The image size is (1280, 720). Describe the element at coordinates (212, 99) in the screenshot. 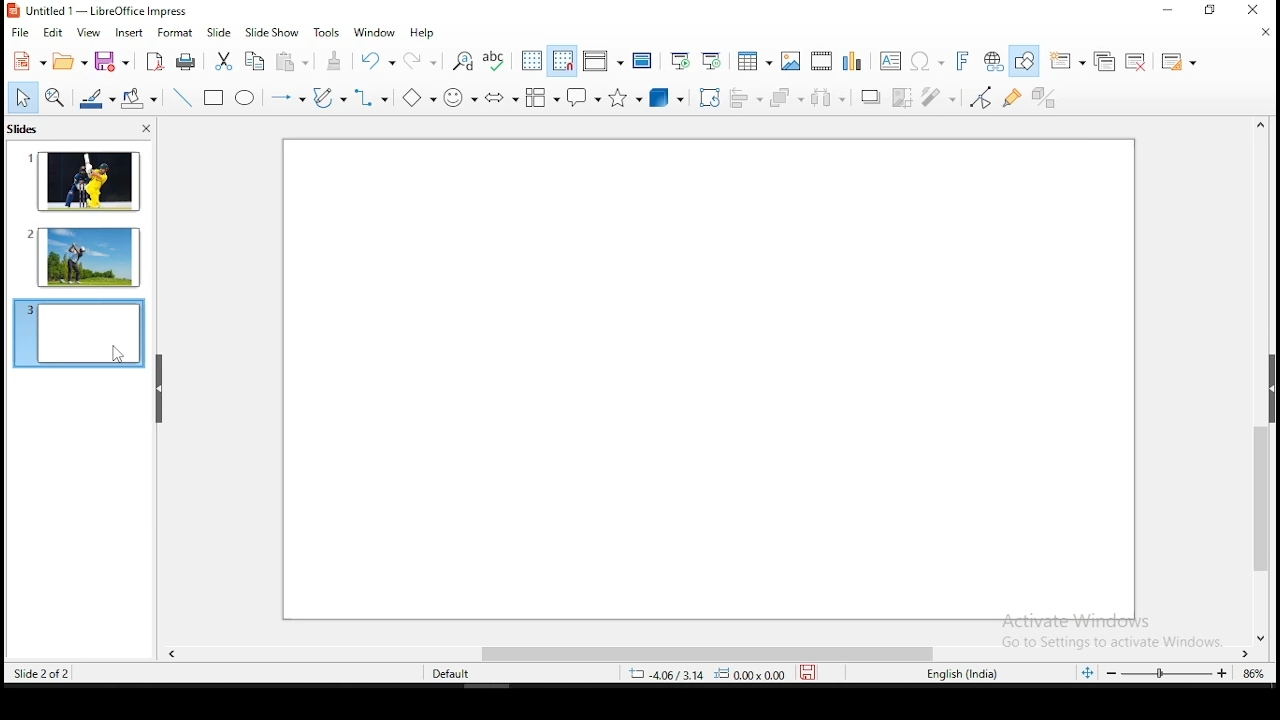

I see `rectangle tool` at that location.